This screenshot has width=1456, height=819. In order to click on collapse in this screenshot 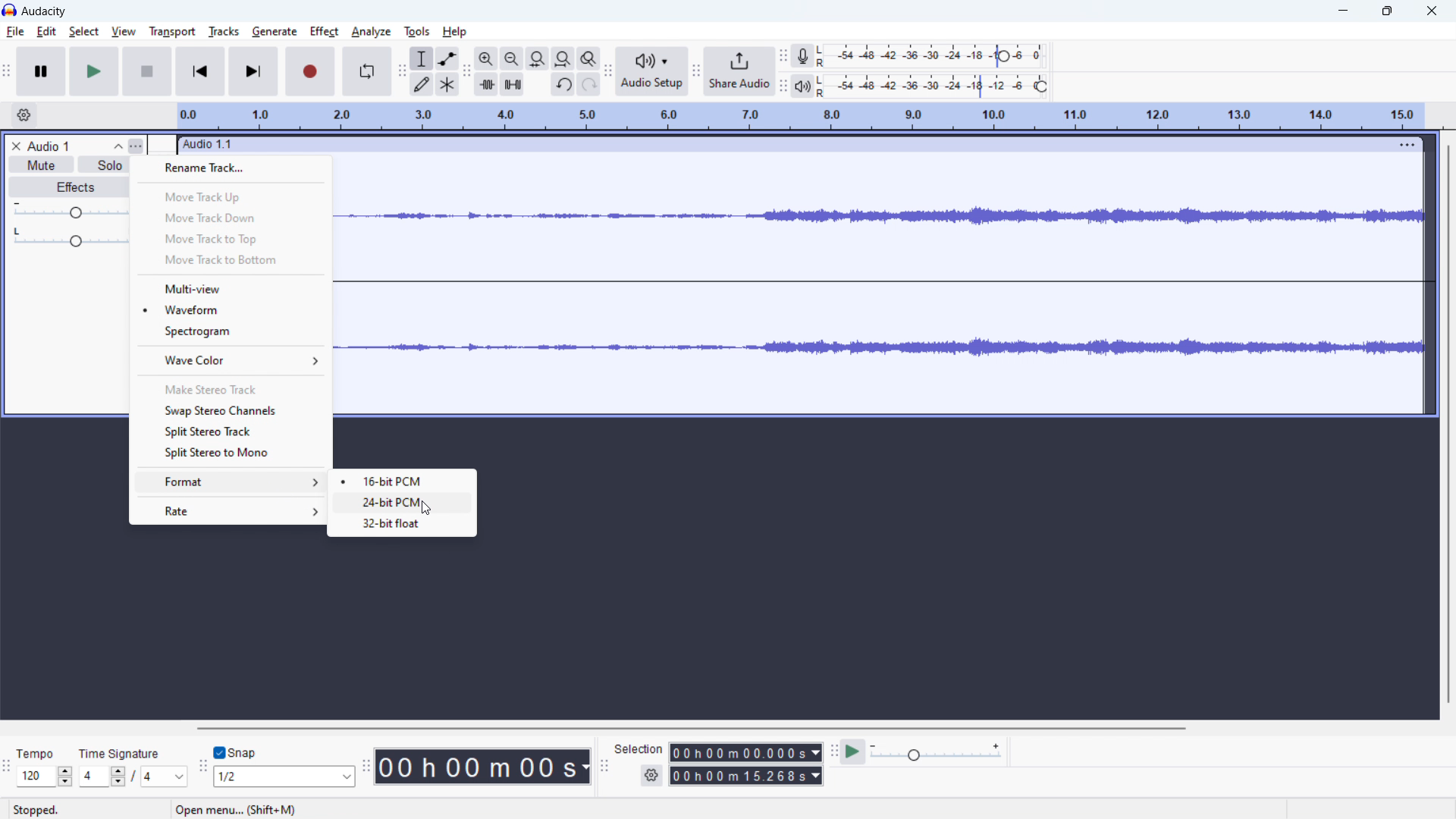, I will do `click(118, 146)`.